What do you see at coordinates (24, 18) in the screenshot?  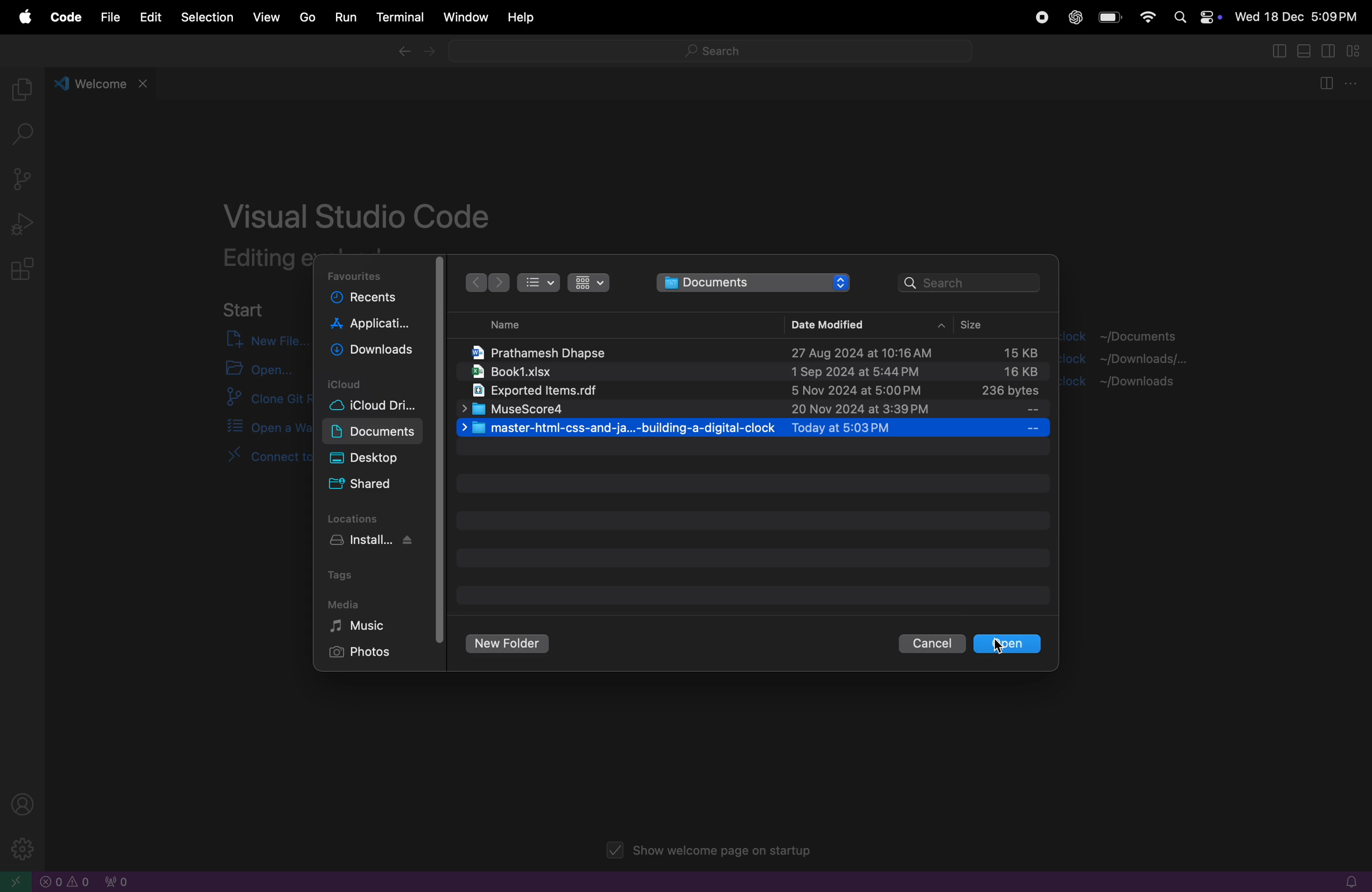 I see `apple menu` at bounding box center [24, 18].